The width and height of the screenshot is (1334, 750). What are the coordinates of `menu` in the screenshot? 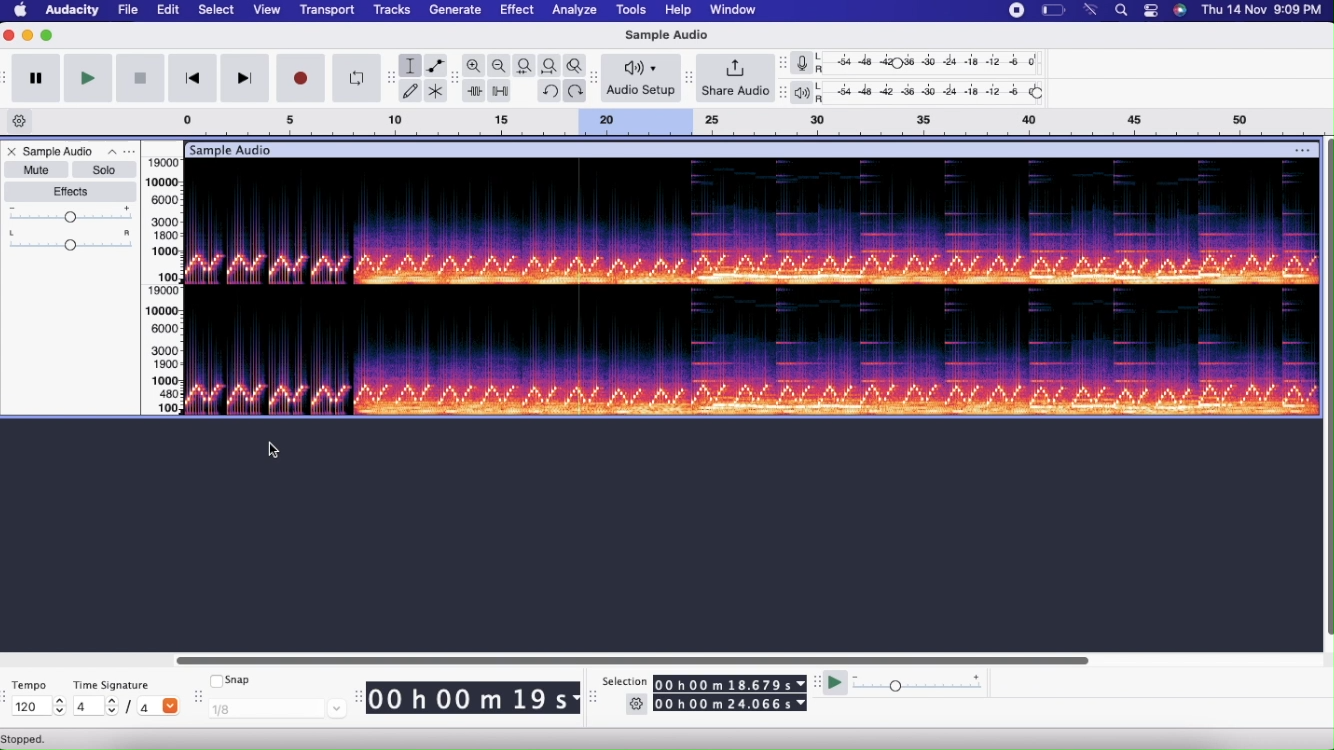 It's located at (1013, 11).